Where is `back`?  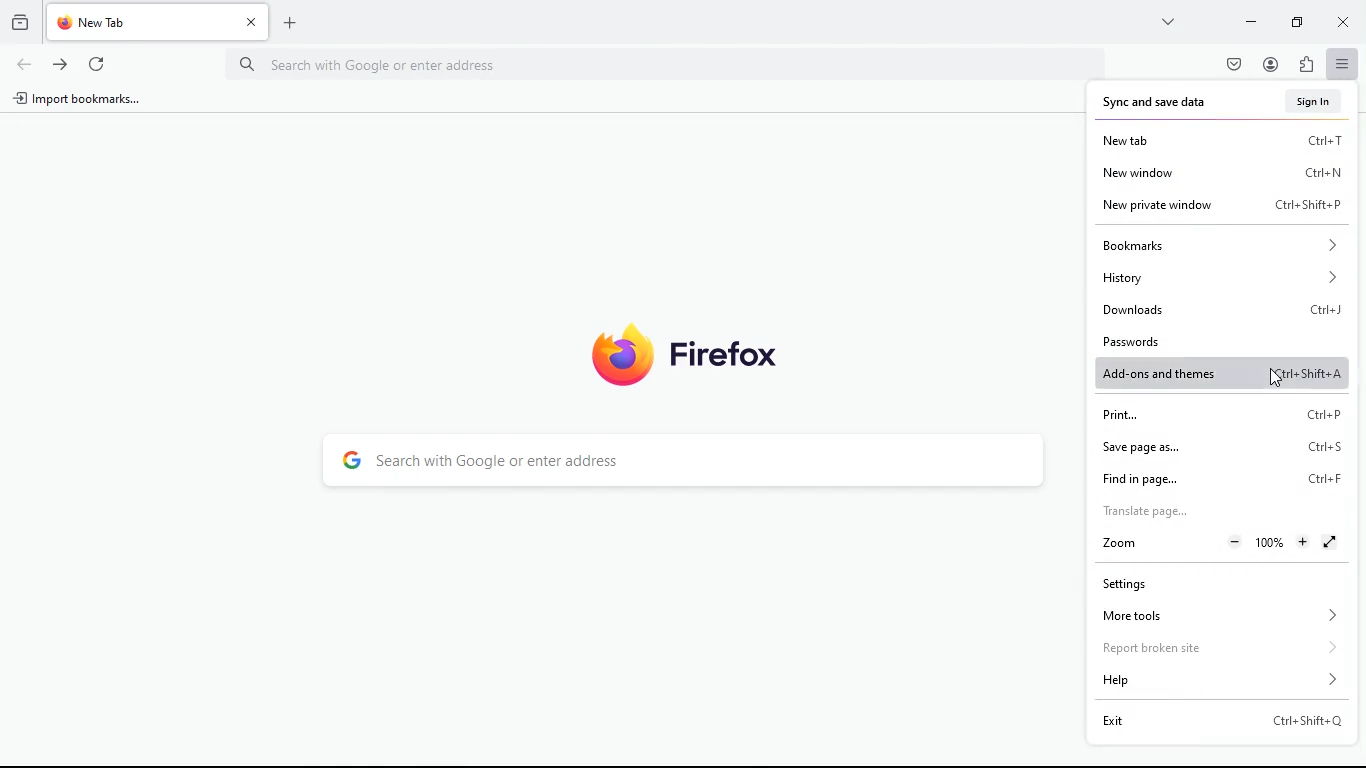 back is located at coordinates (25, 64).